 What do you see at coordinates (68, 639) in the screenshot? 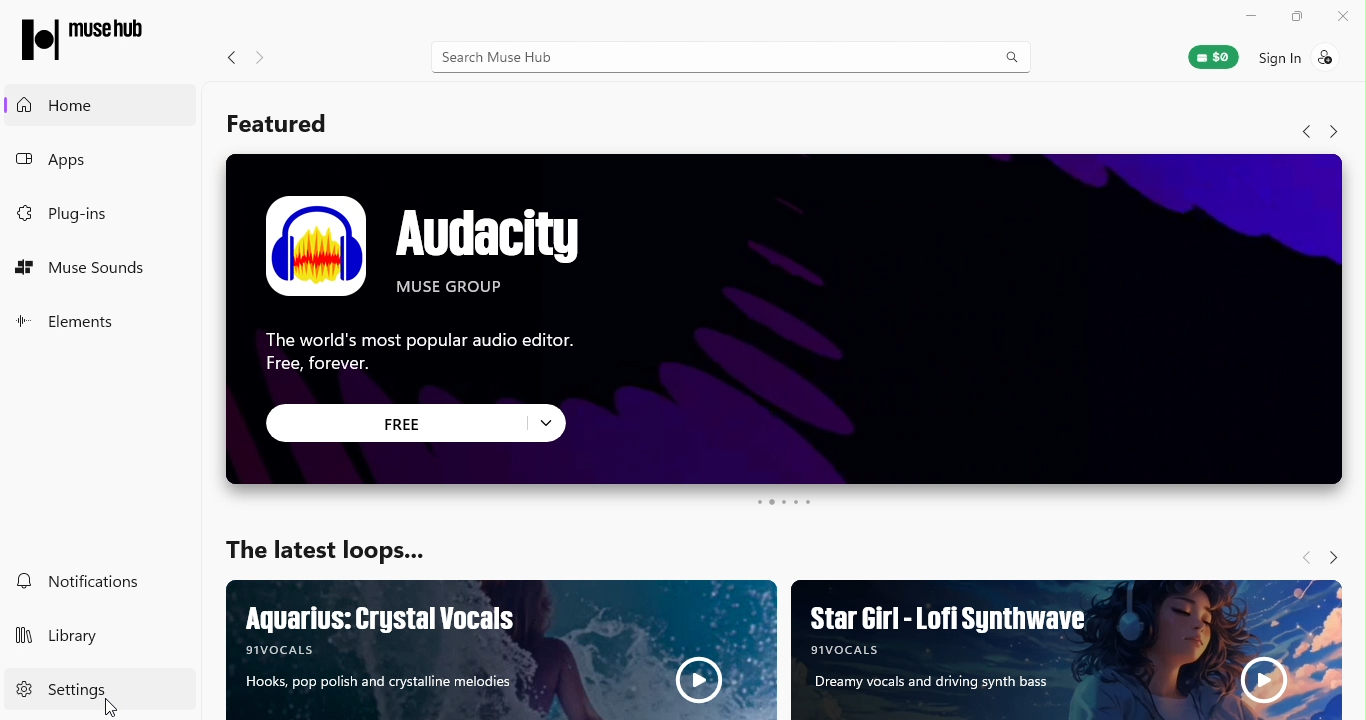
I see `Library` at bounding box center [68, 639].